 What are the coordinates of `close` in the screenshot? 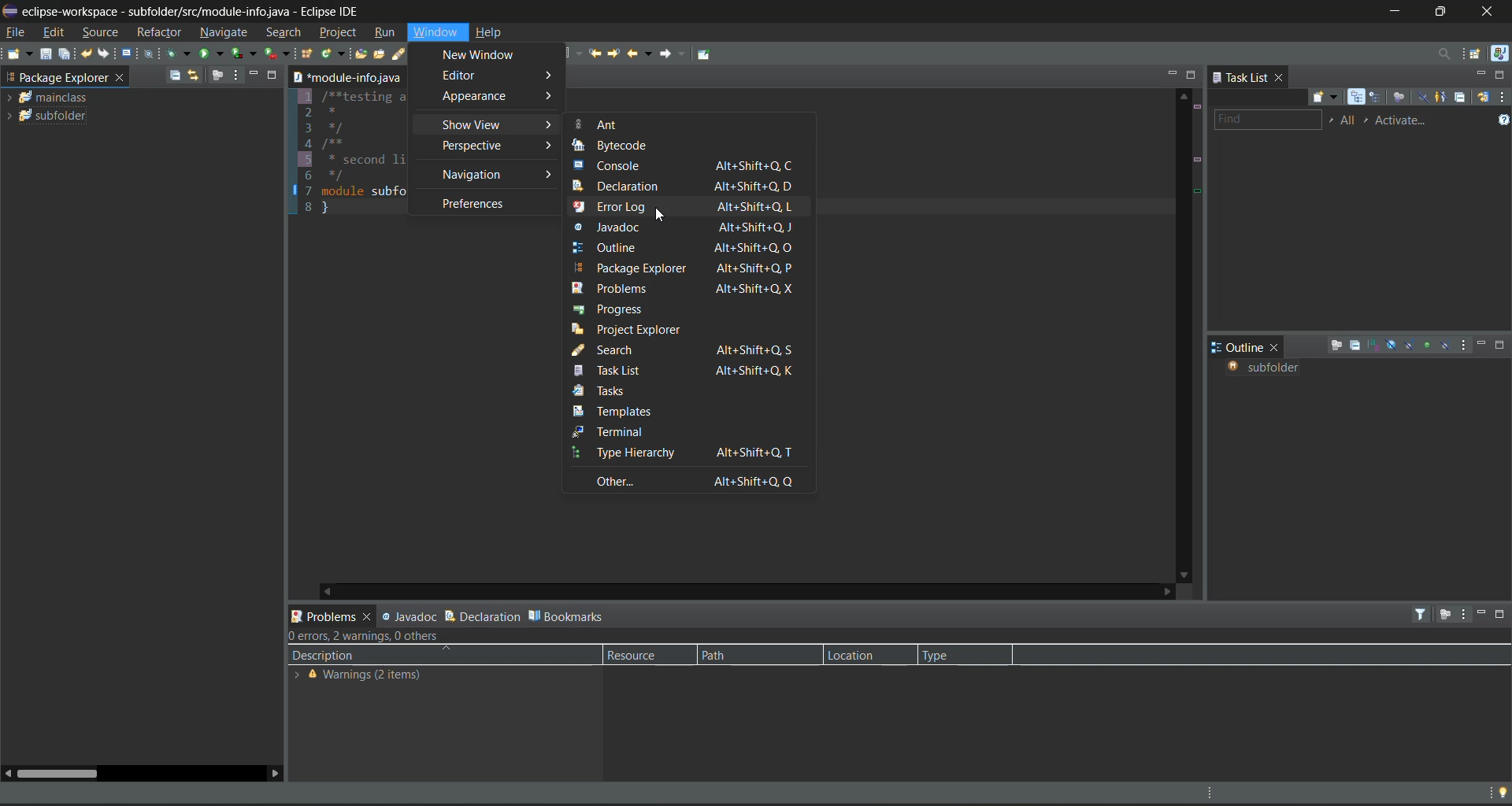 It's located at (1493, 12).